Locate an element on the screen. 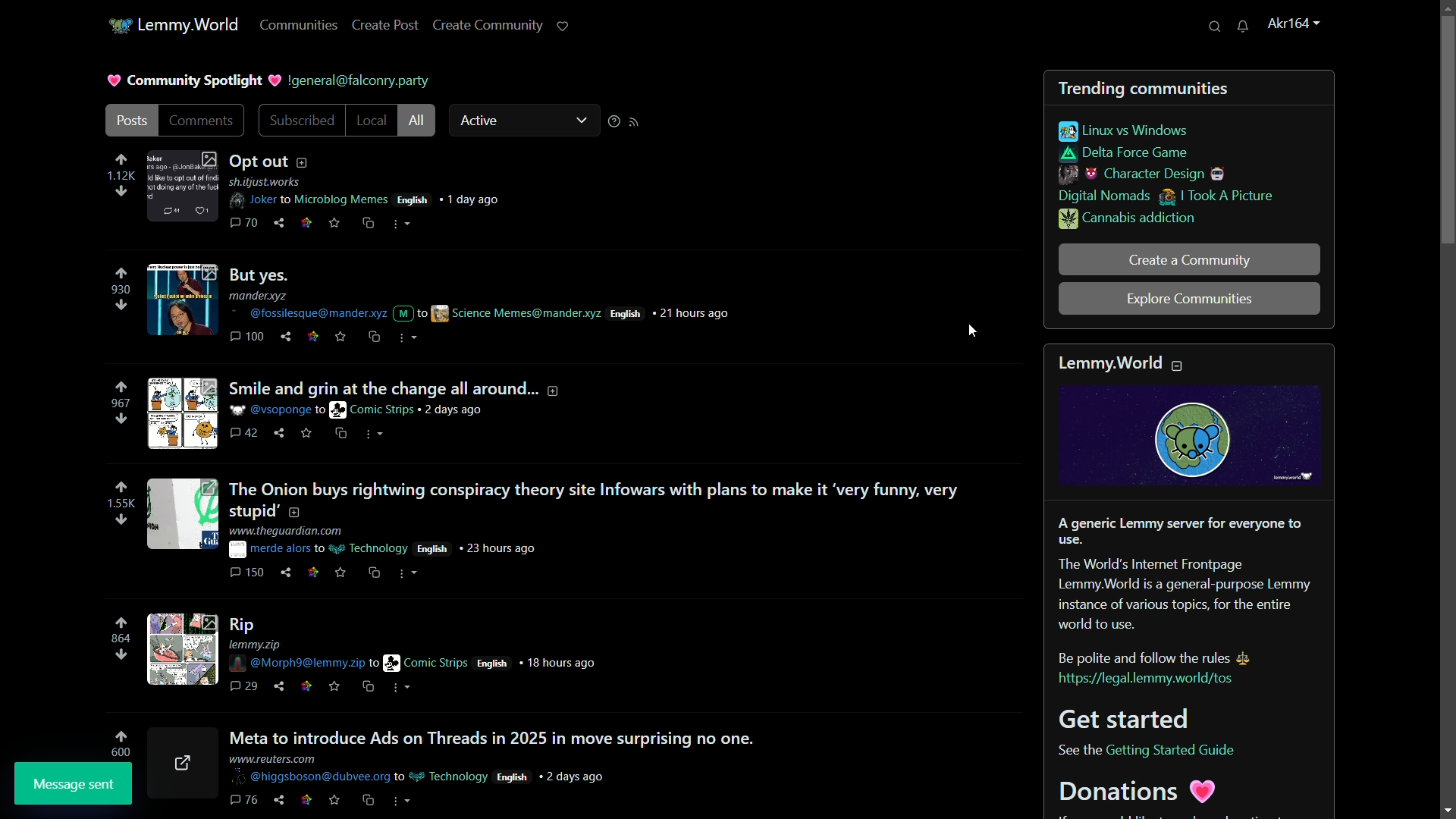 This screenshot has width=1456, height=819. create a community is located at coordinates (1186, 260).